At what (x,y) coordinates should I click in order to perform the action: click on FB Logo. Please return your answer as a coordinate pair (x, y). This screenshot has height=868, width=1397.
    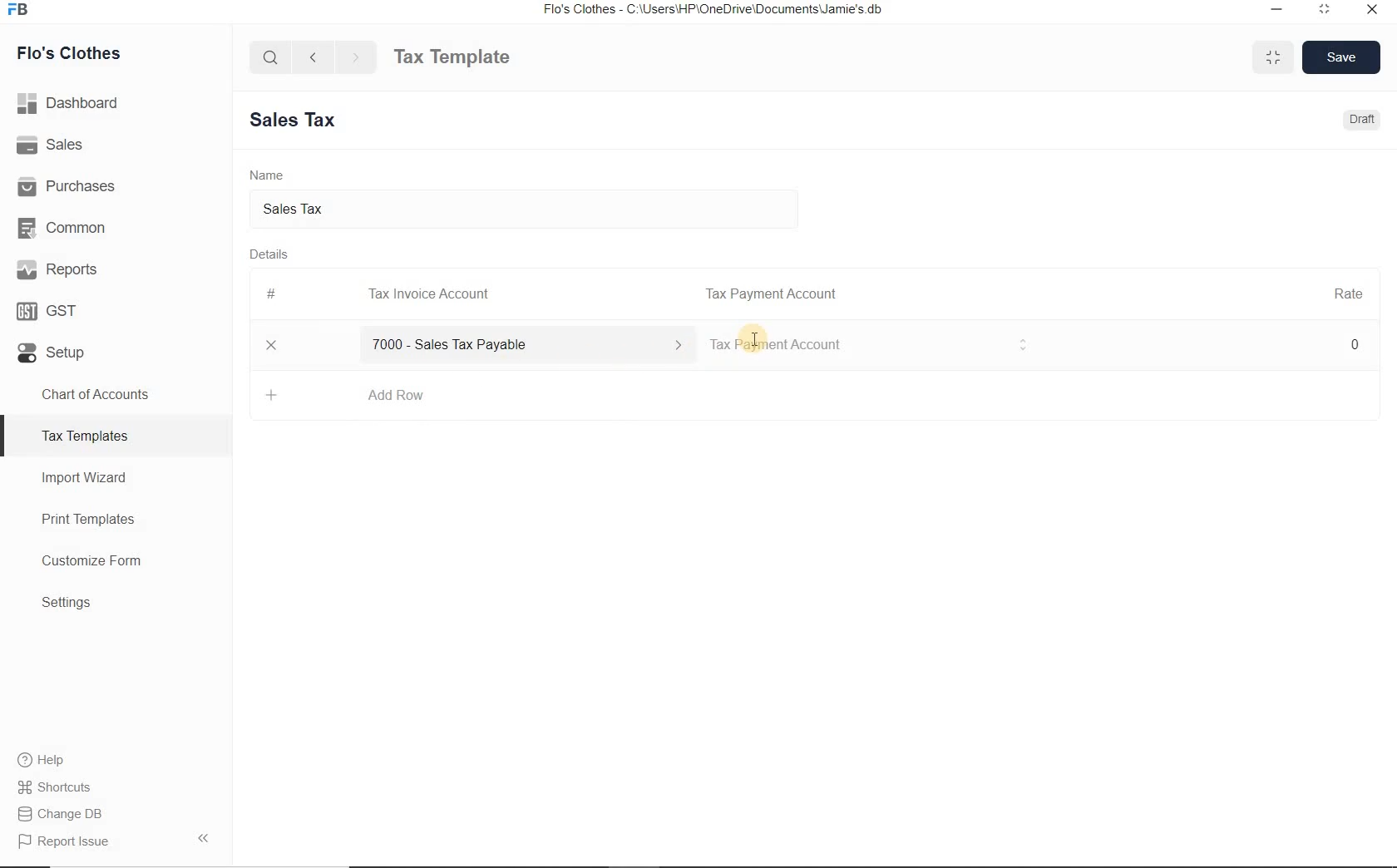
    Looking at the image, I should click on (17, 10).